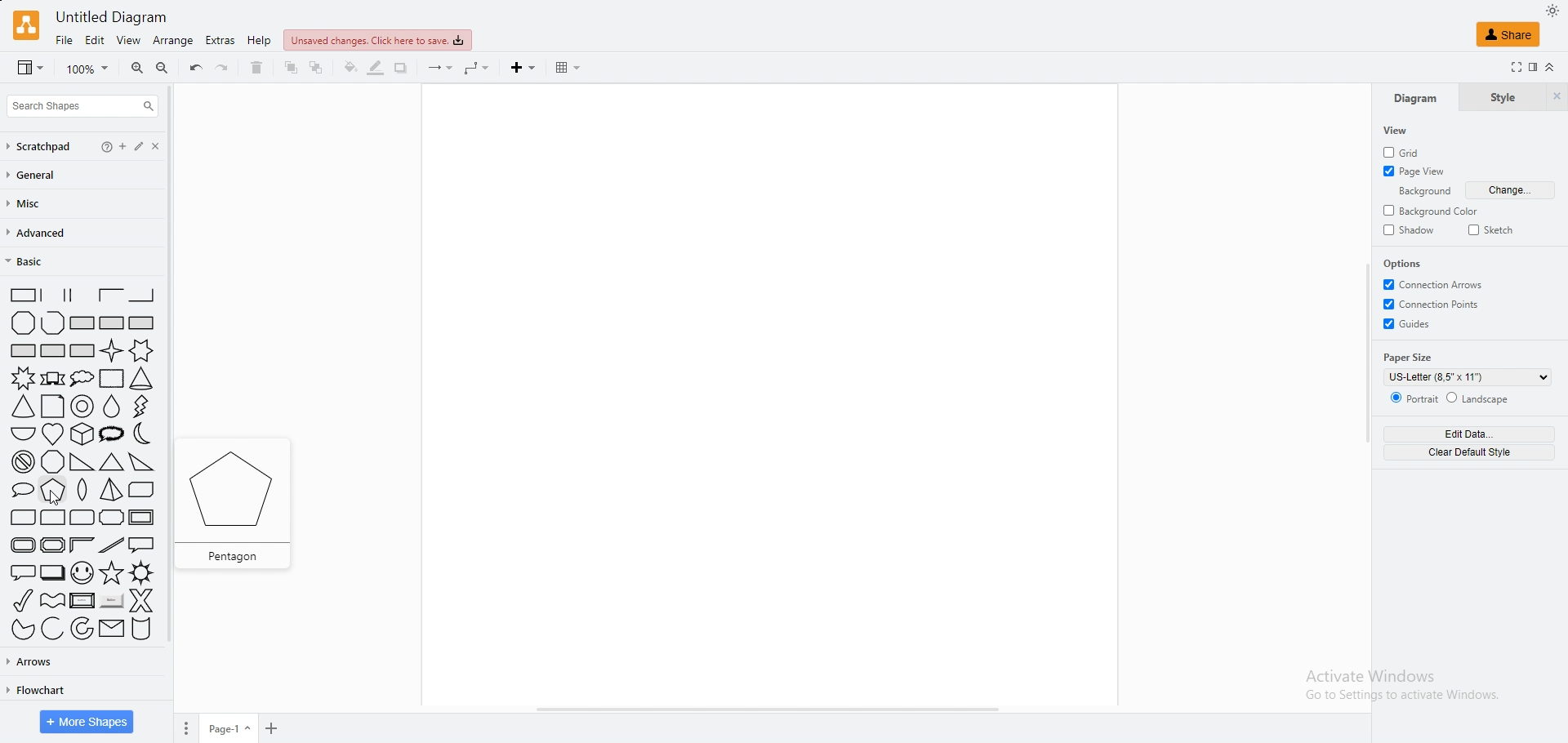  I want to click on partial rectangle, so click(51, 294).